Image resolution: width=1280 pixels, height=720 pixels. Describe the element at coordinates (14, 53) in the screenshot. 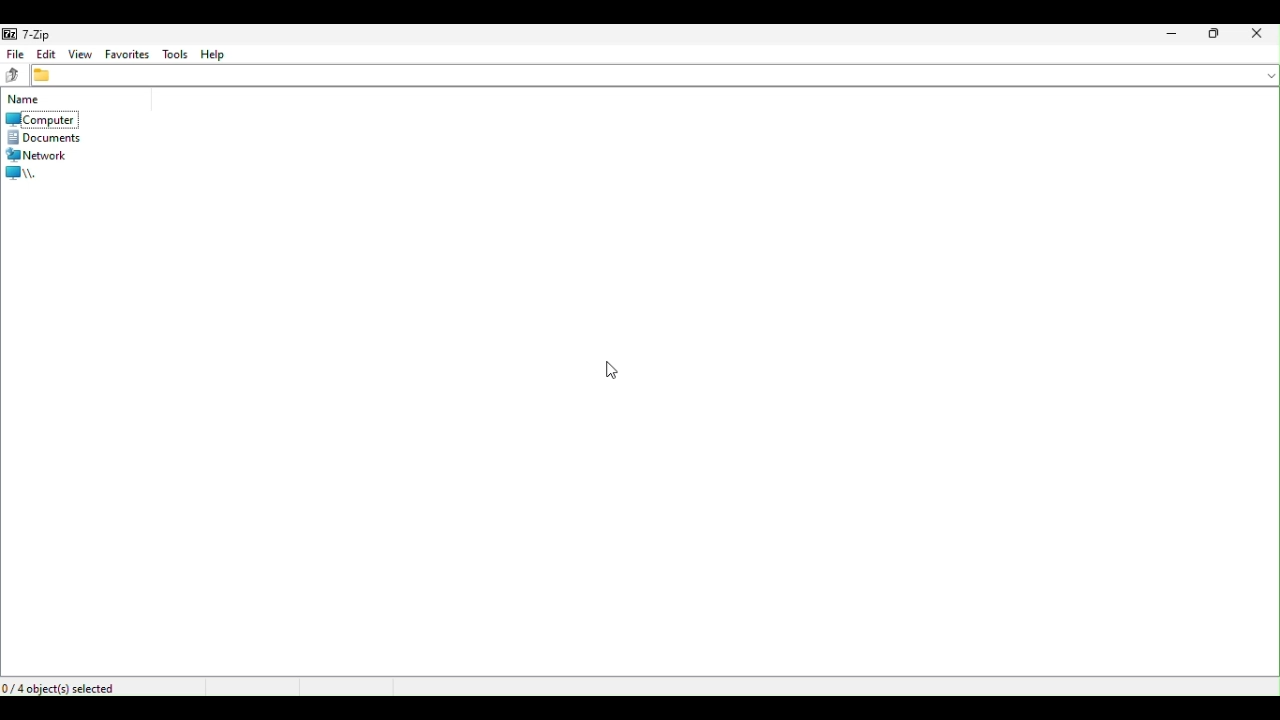

I see `file` at that location.